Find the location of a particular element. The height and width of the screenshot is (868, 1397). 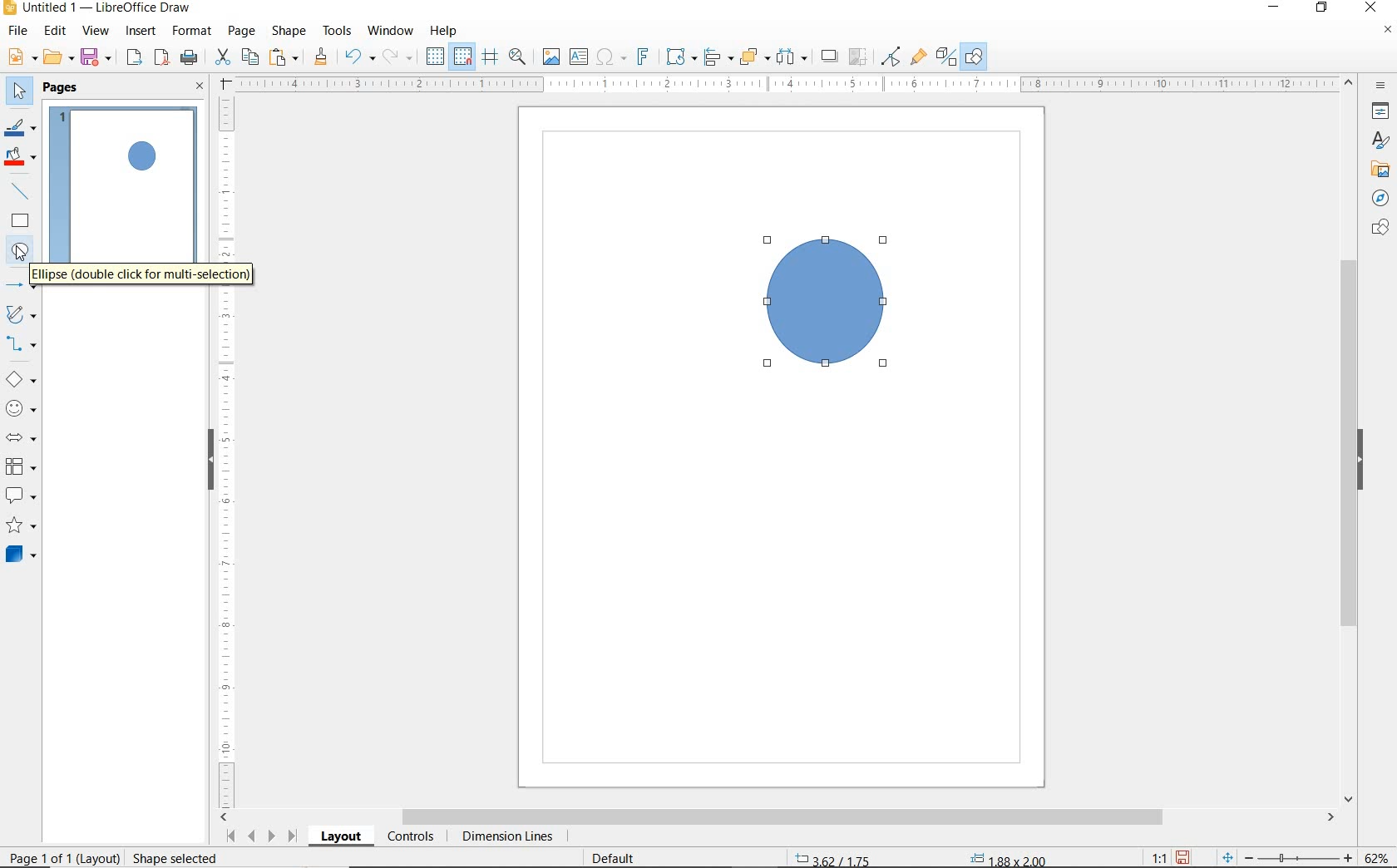

PAGES is located at coordinates (62, 87).